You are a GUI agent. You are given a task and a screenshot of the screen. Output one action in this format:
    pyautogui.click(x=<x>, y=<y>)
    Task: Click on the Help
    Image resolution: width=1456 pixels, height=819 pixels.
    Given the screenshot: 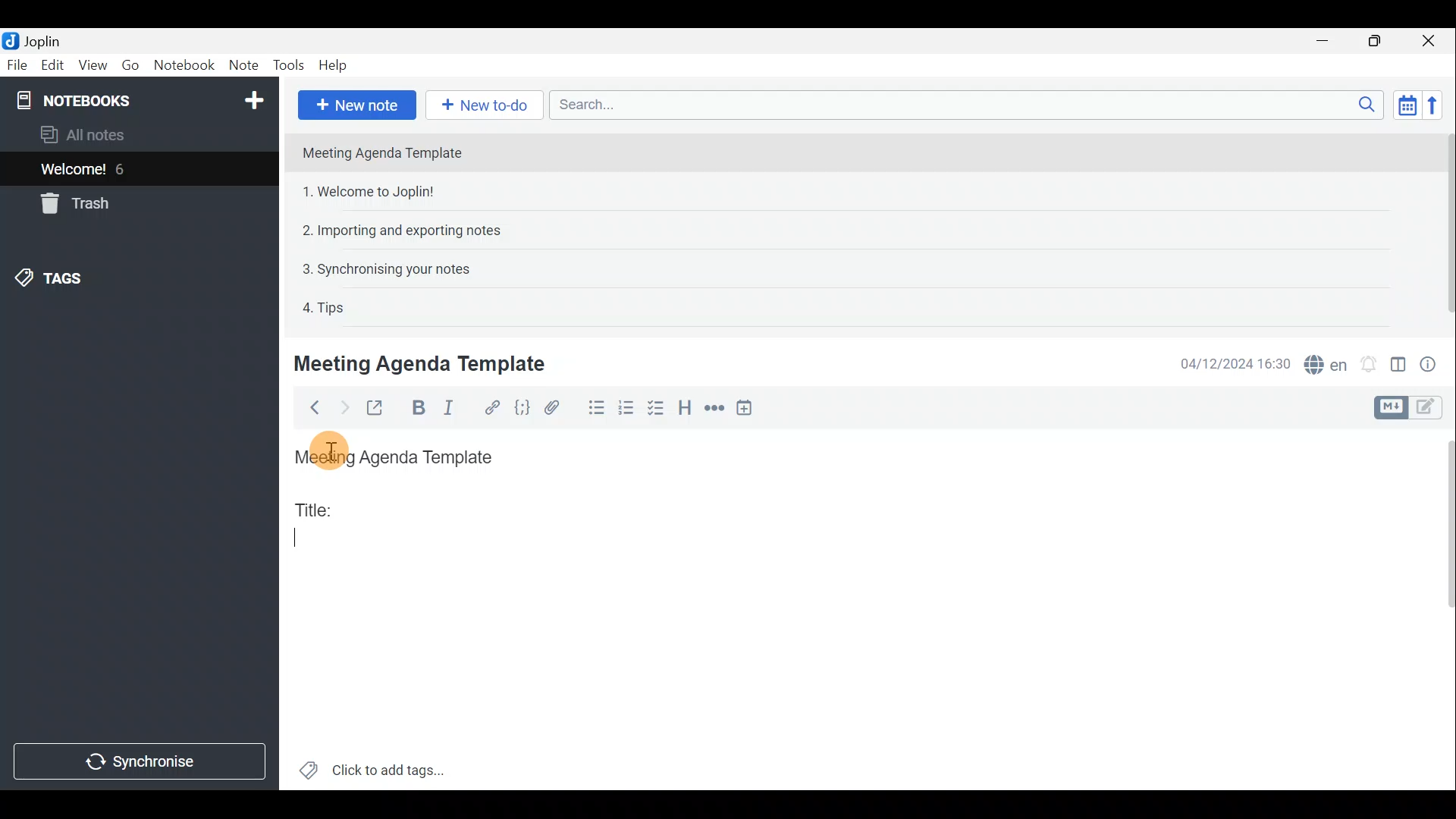 What is the action you would take?
    pyautogui.click(x=336, y=65)
    